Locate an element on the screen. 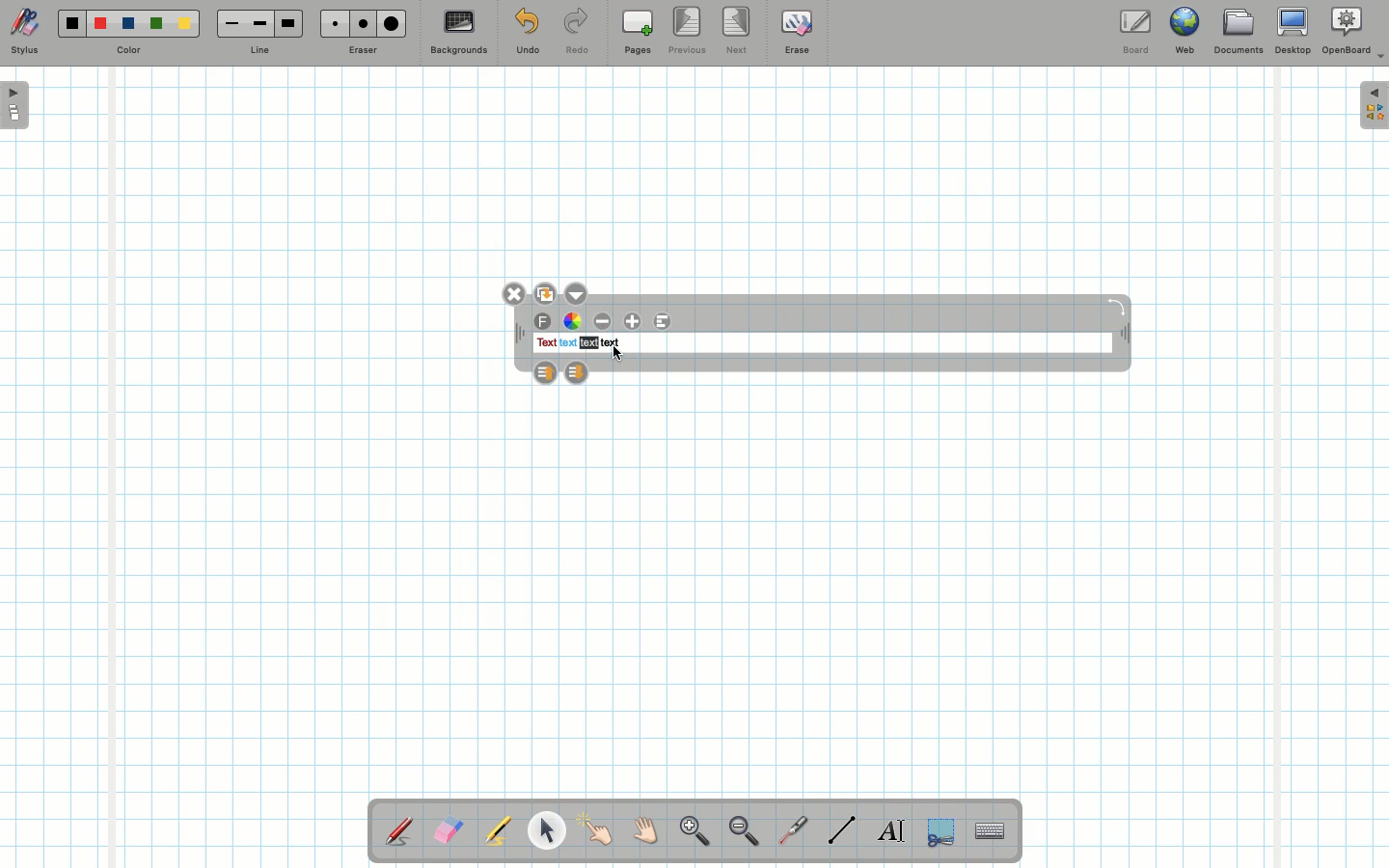  Backgrounds is located at coordinates (458, 33).